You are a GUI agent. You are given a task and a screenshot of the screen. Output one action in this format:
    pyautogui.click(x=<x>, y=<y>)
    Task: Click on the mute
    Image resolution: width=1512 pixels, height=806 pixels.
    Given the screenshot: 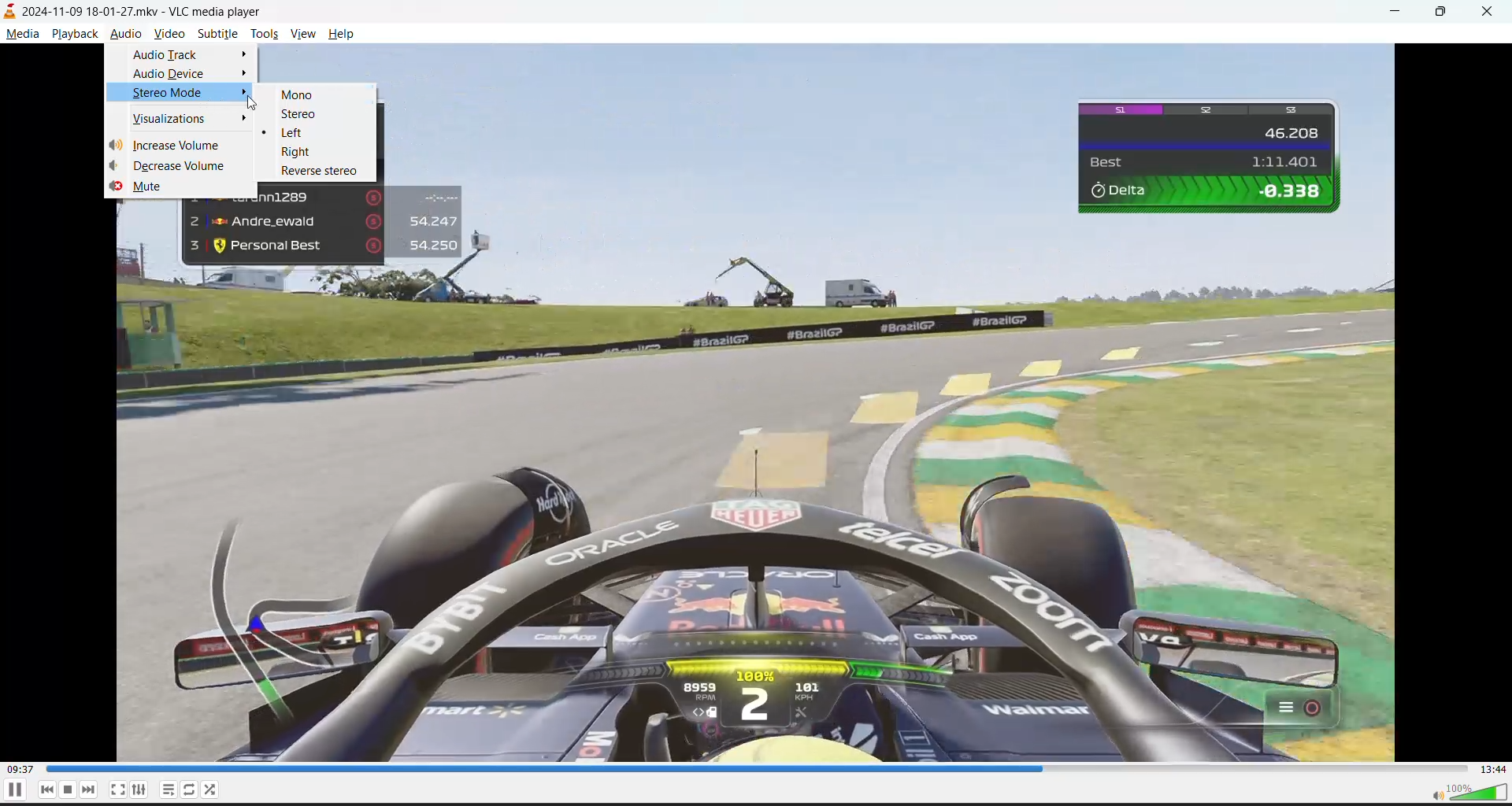 What is the action you would take?
    pyautogui.click(x=150, y=186)
    